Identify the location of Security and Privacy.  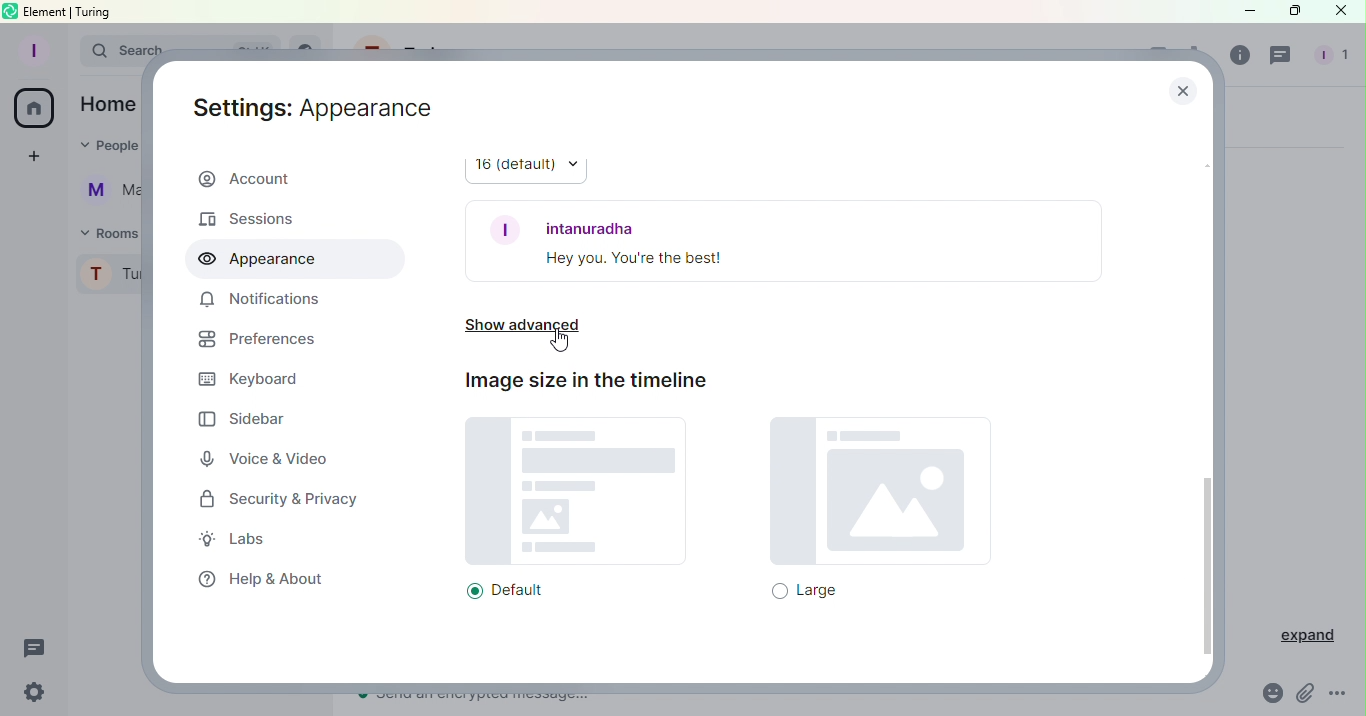
(279, 500).